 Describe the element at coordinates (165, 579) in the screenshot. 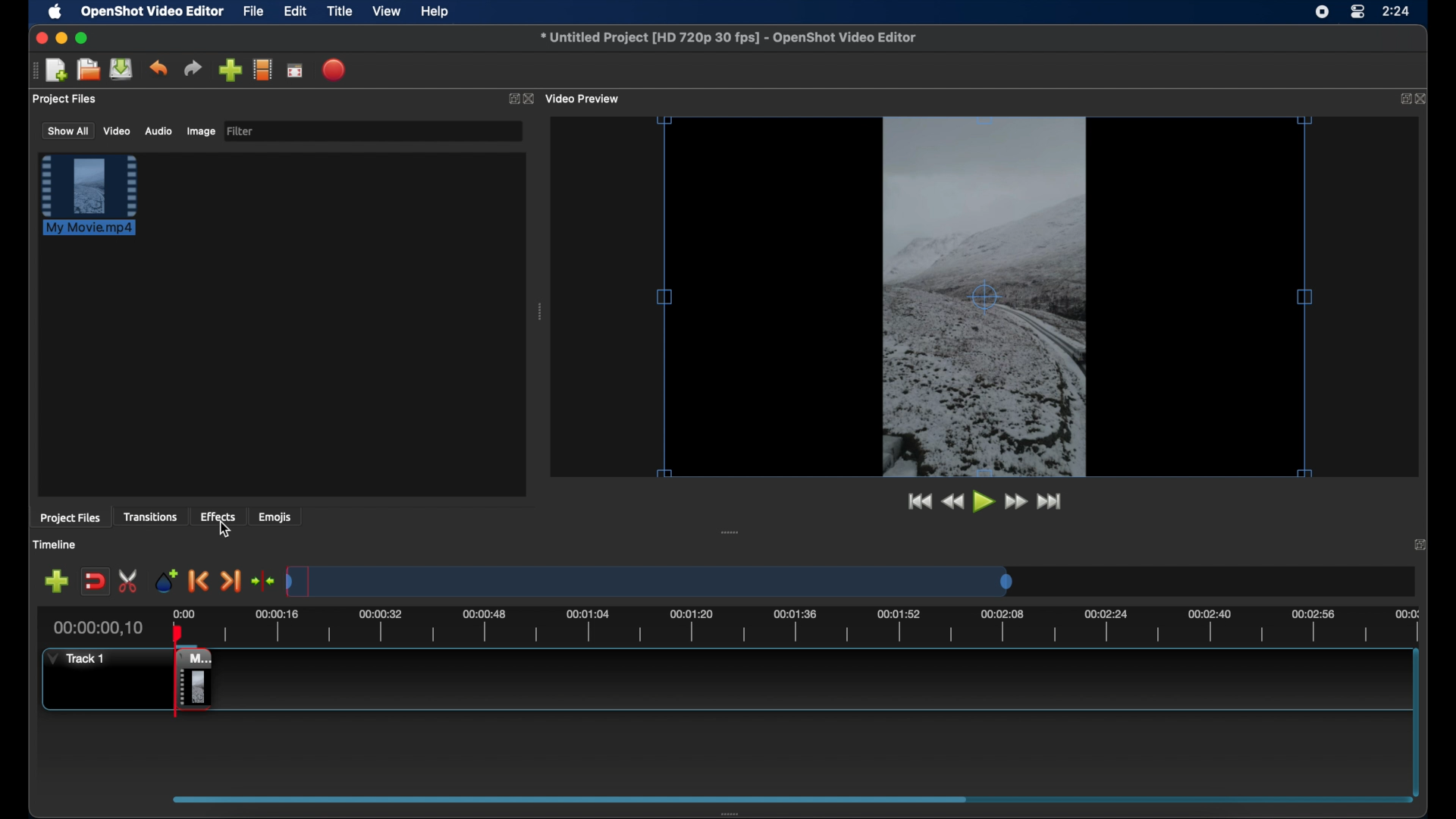

I see `add marker` at that location.